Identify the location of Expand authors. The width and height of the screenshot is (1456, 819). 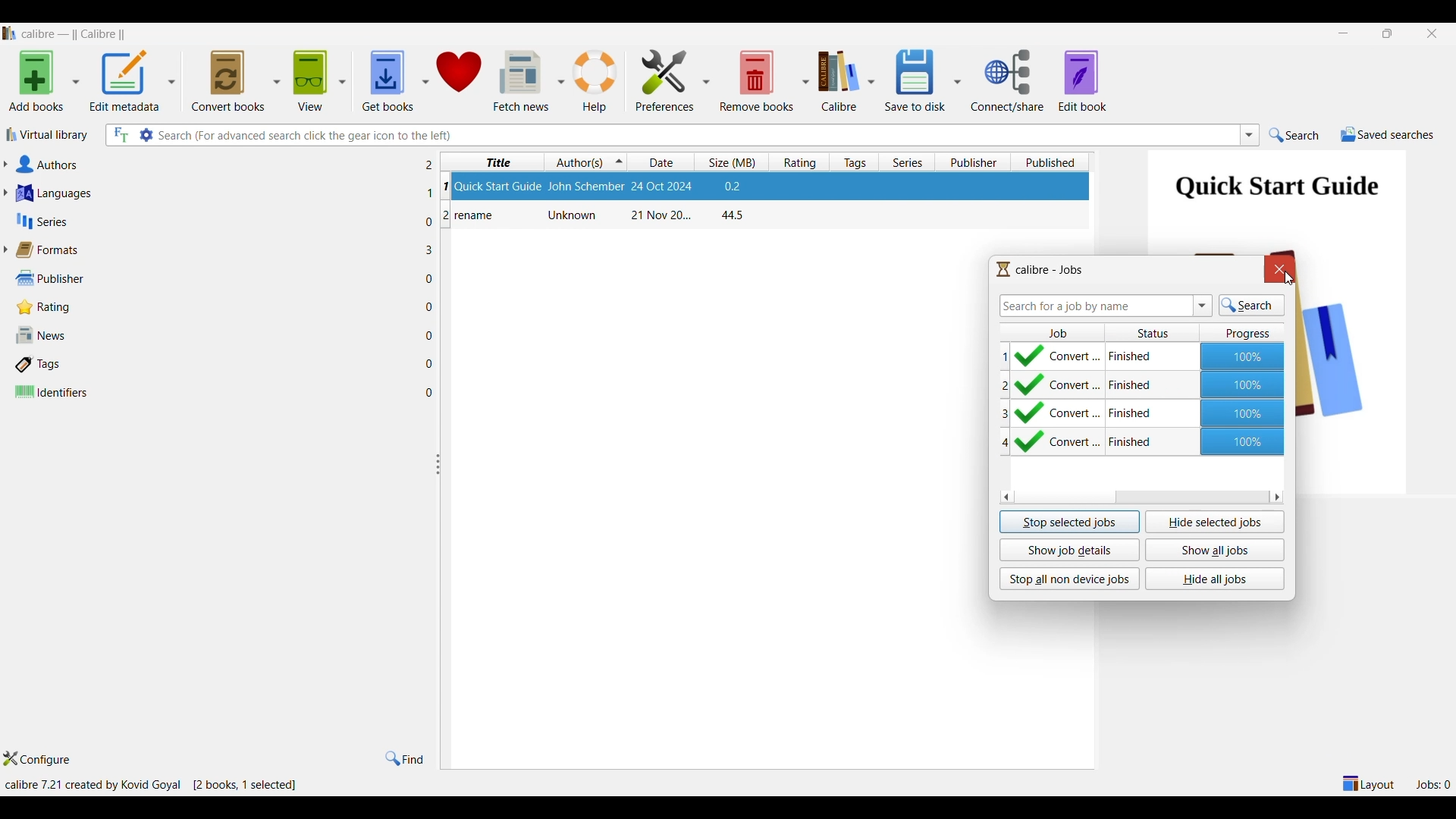
(5, 164).